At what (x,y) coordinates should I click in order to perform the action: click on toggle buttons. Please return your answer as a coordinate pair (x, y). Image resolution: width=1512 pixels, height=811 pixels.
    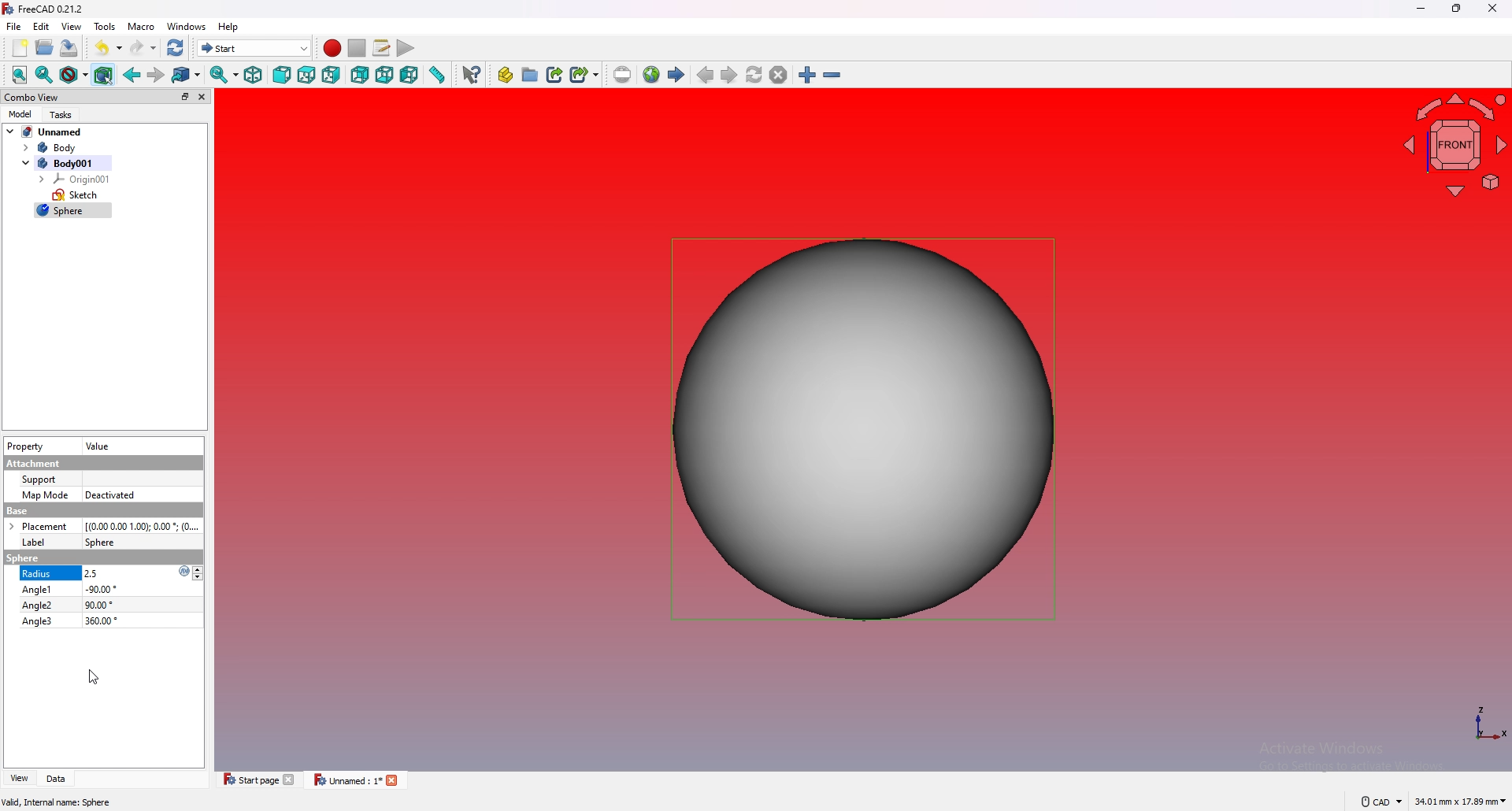
    Looking at the image, I should click on (200, 573).